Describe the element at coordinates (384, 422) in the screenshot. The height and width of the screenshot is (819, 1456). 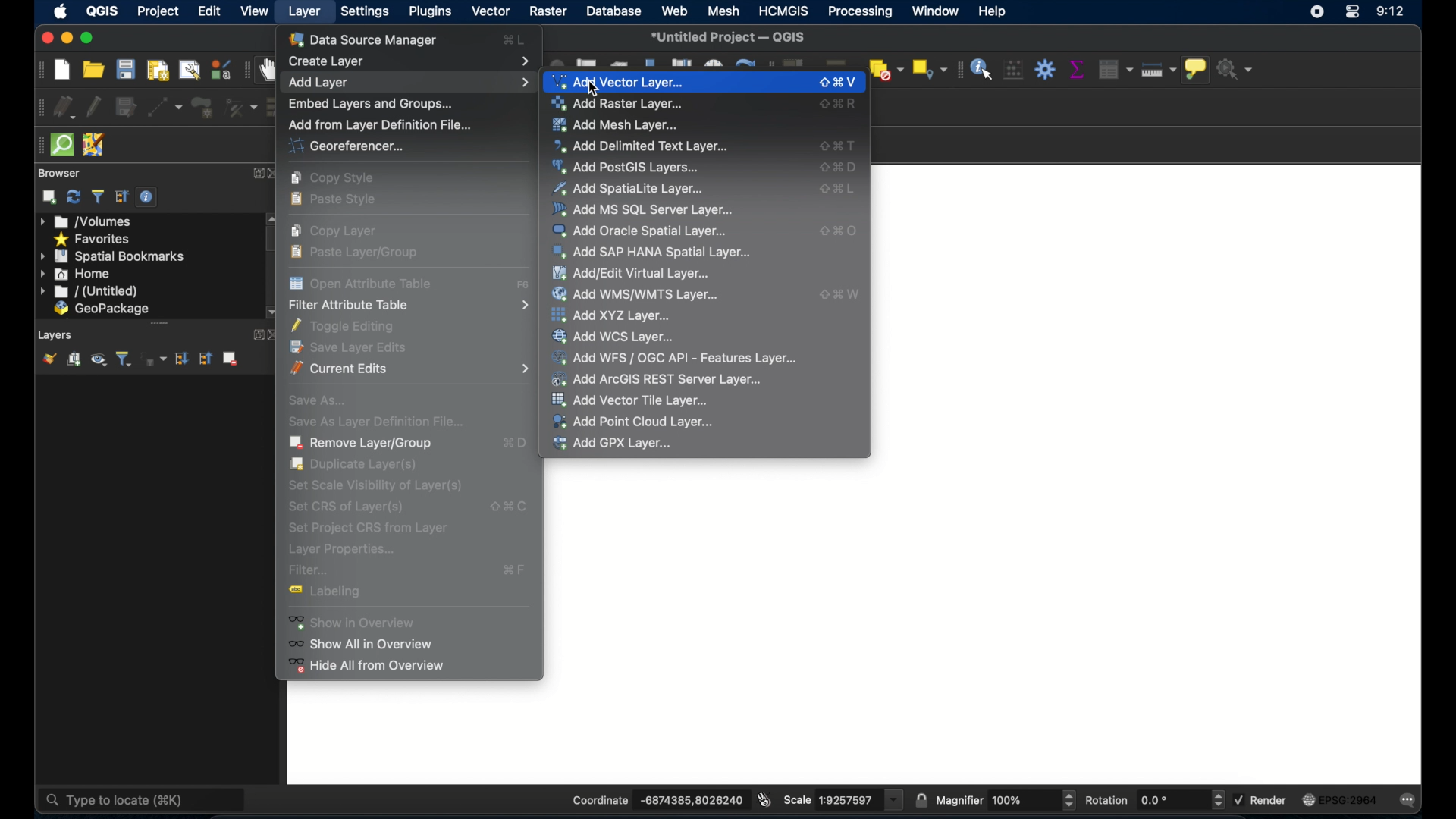
I see `Save As Layer Definition File...` at that location.